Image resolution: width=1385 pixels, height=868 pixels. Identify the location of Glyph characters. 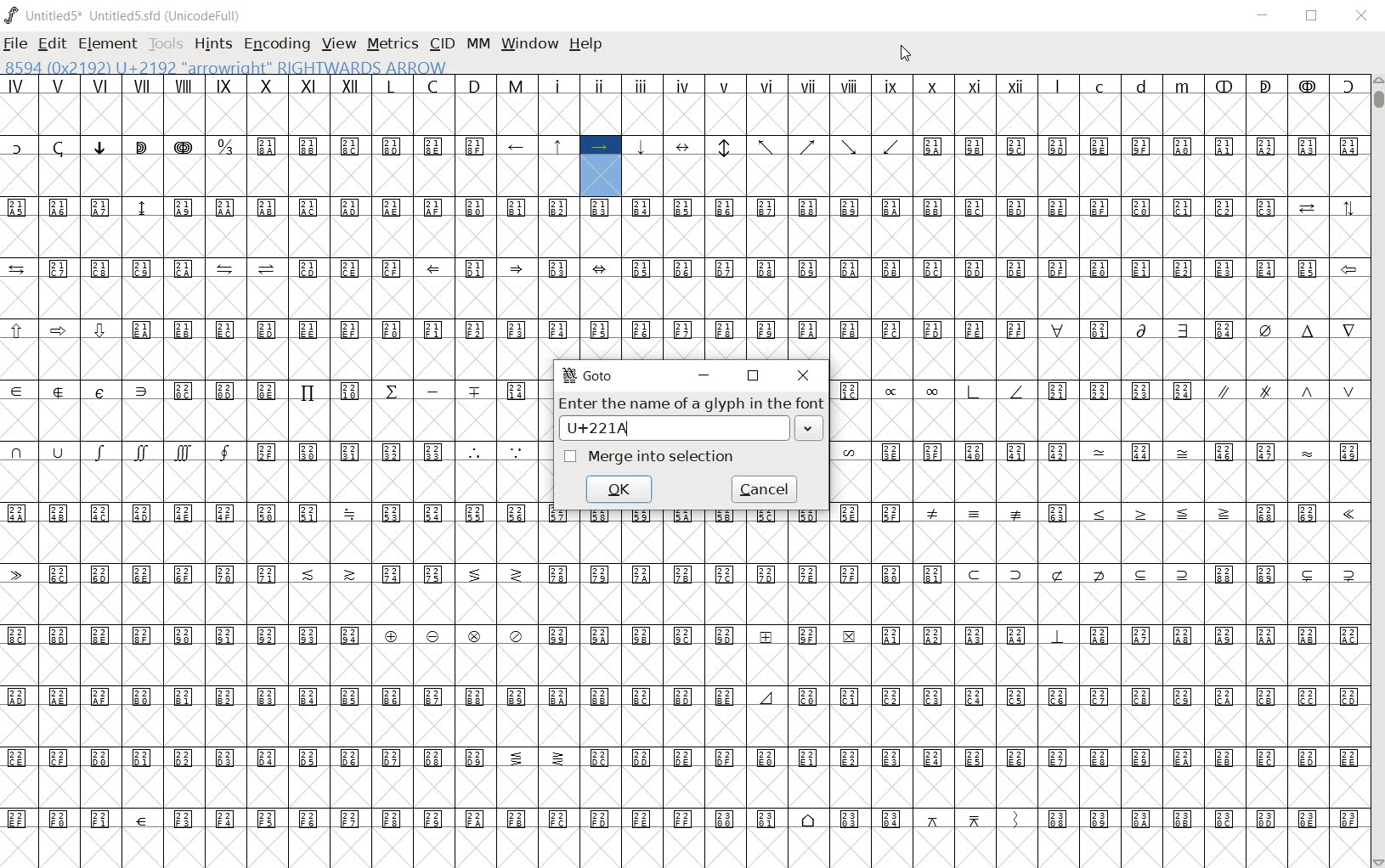
(1098, 471).